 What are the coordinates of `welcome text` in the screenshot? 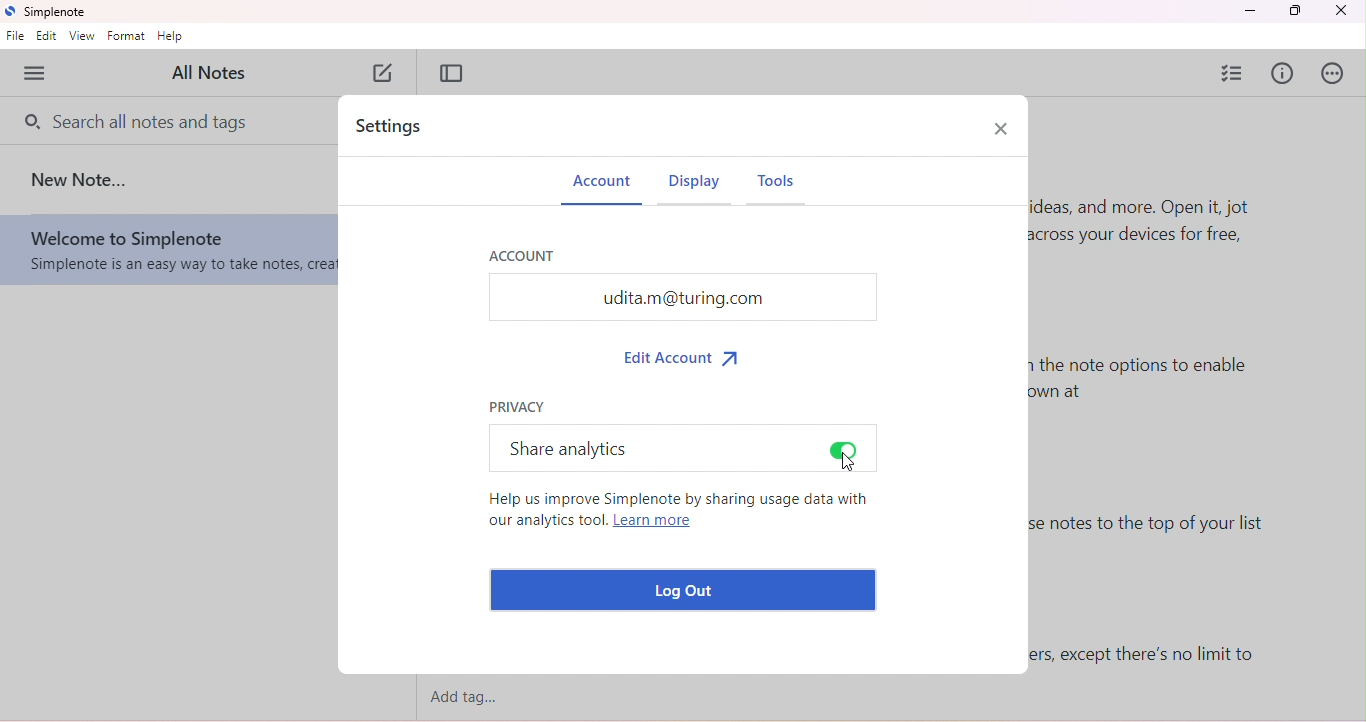 It's located at (1159, 233).